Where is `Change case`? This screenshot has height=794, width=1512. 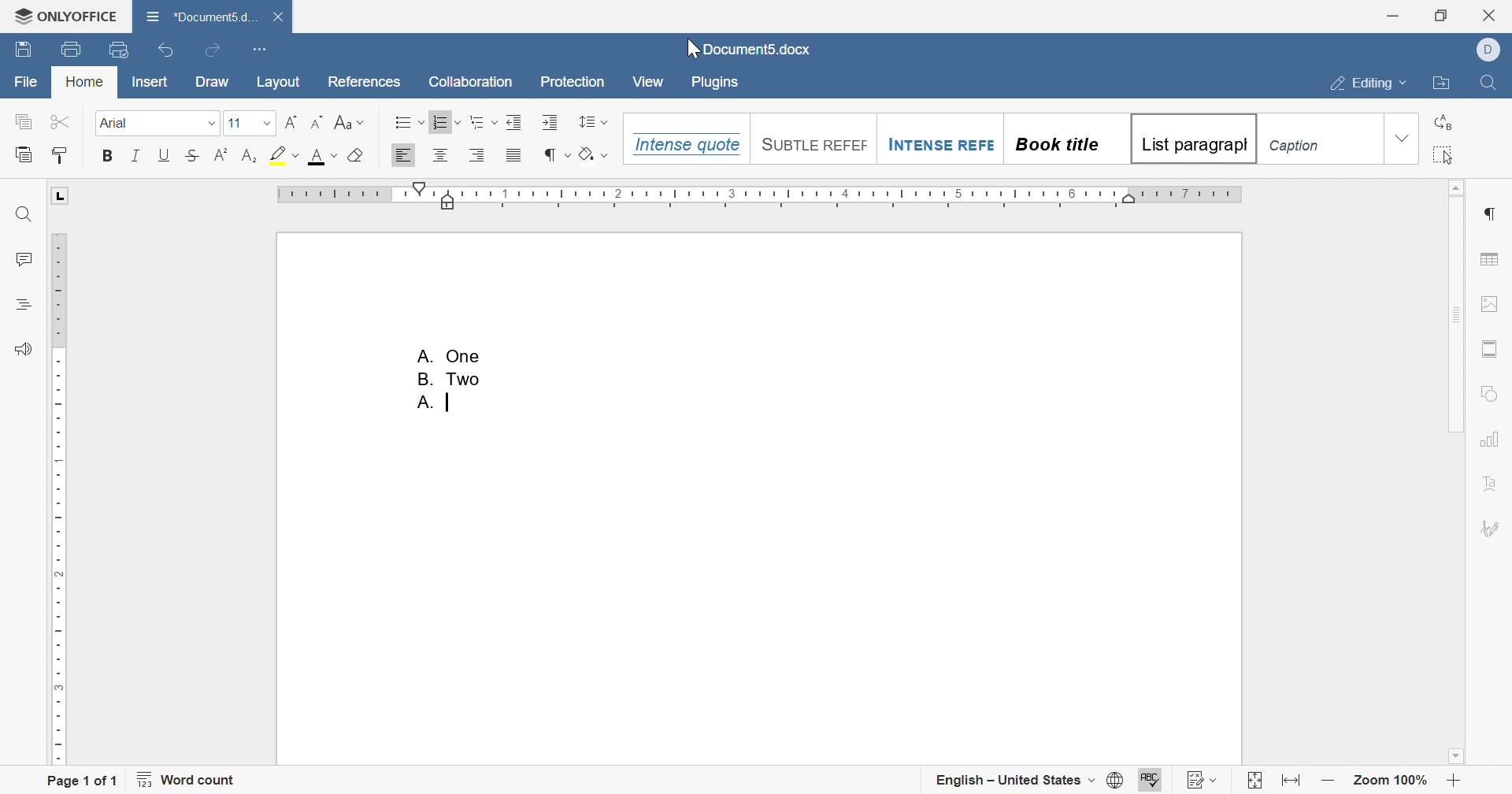 Change case is located at coordinates (350, 122).